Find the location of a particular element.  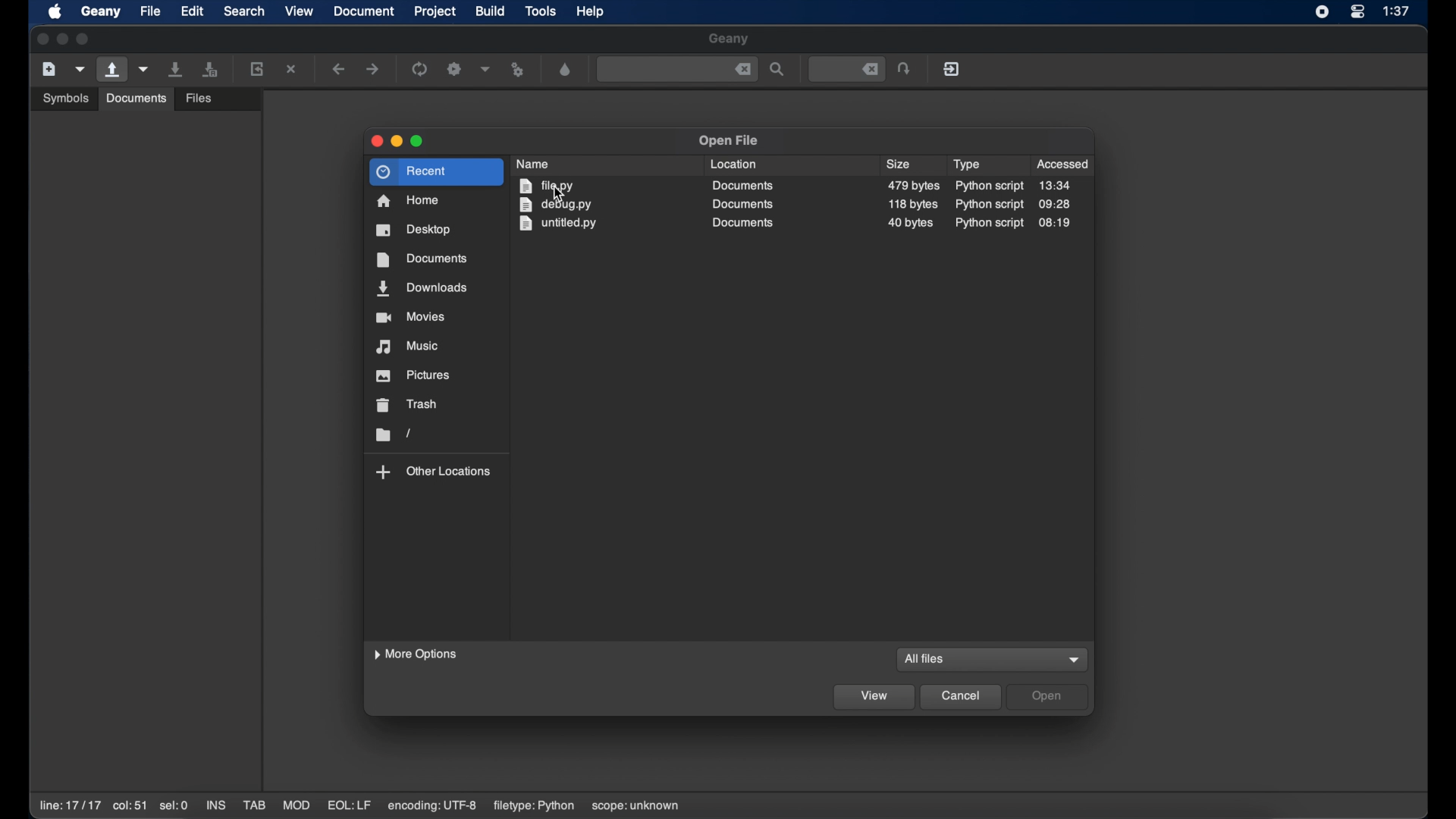

documents is located at coordinates (741, 223).